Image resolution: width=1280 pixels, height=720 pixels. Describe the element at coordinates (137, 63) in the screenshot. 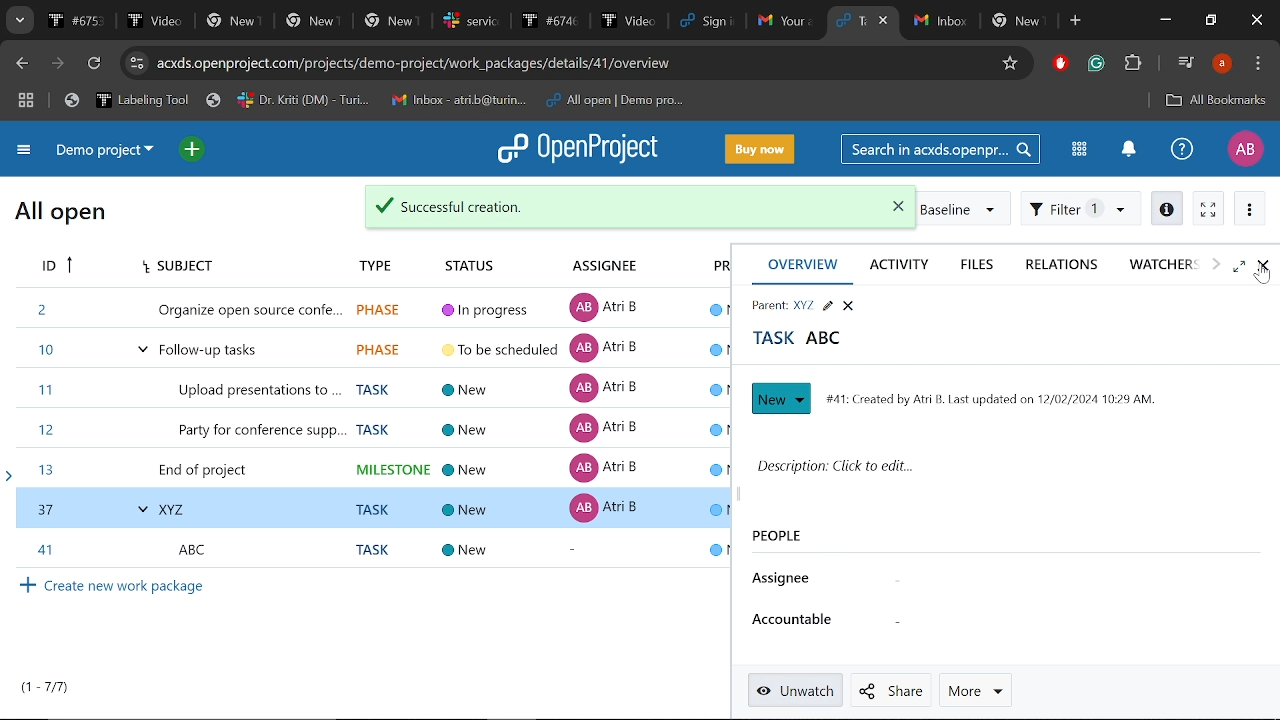

I see `Cite info` at that location.